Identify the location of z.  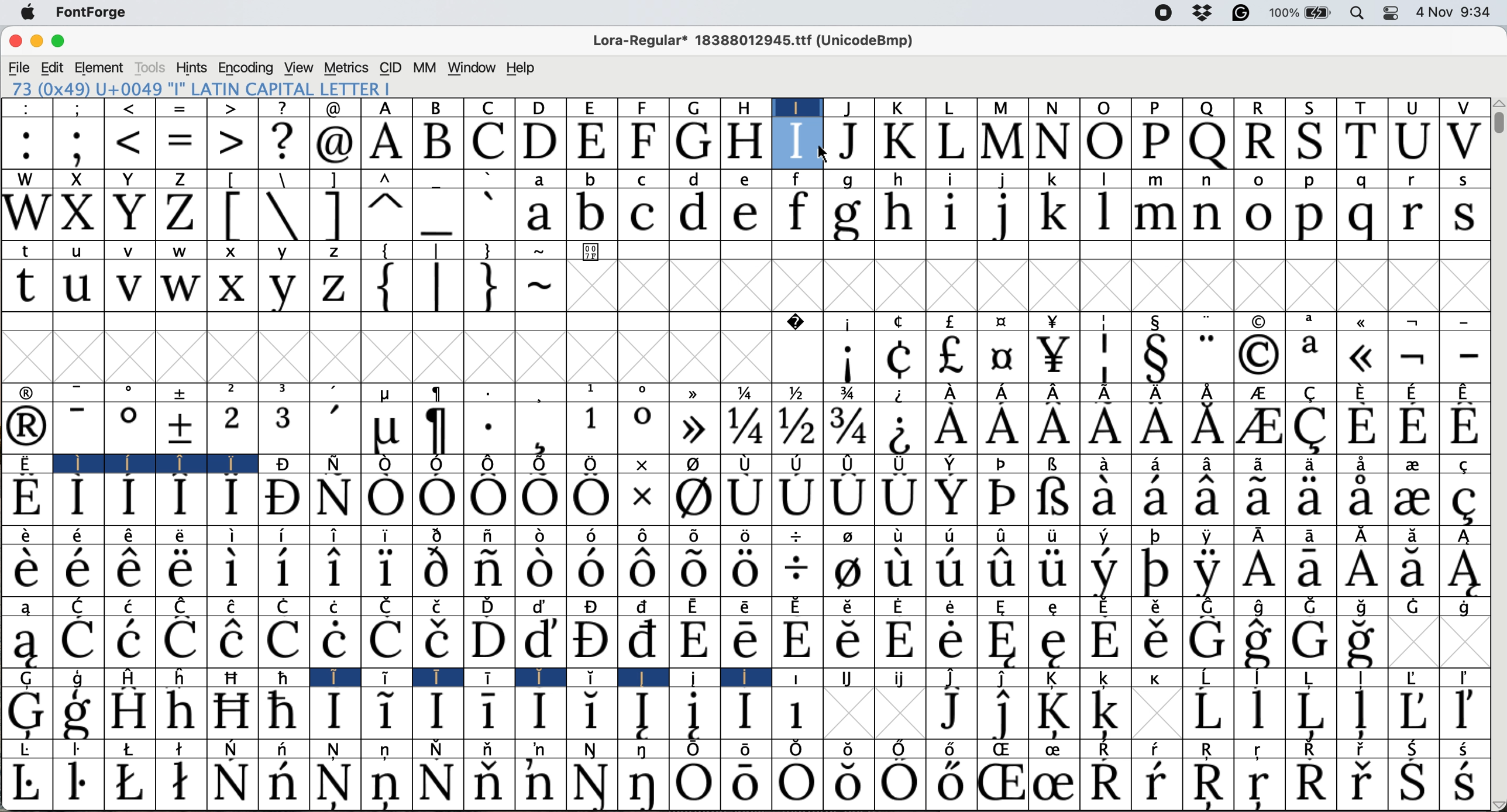
(333, 252).